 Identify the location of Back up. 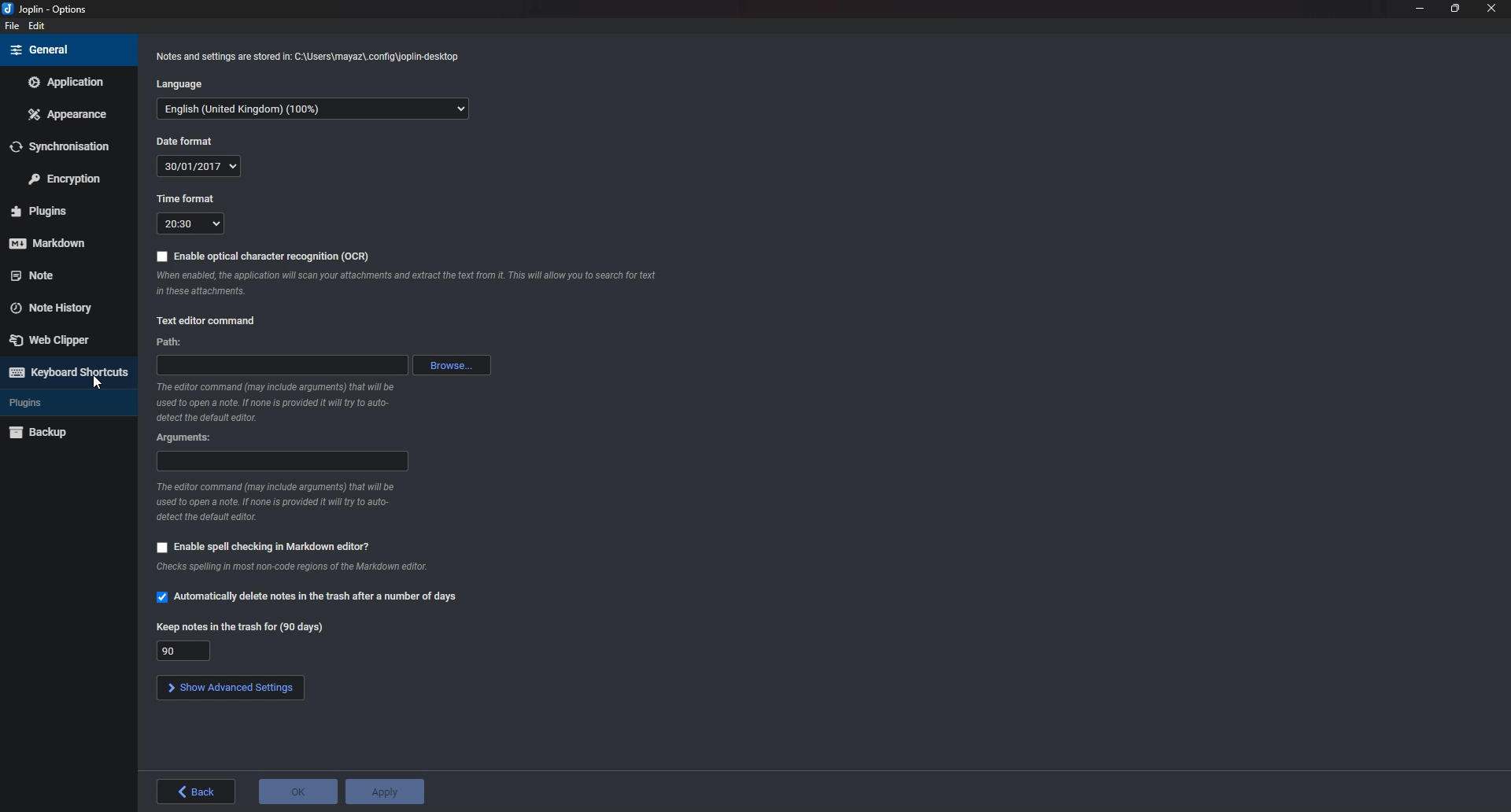
(65, 431).